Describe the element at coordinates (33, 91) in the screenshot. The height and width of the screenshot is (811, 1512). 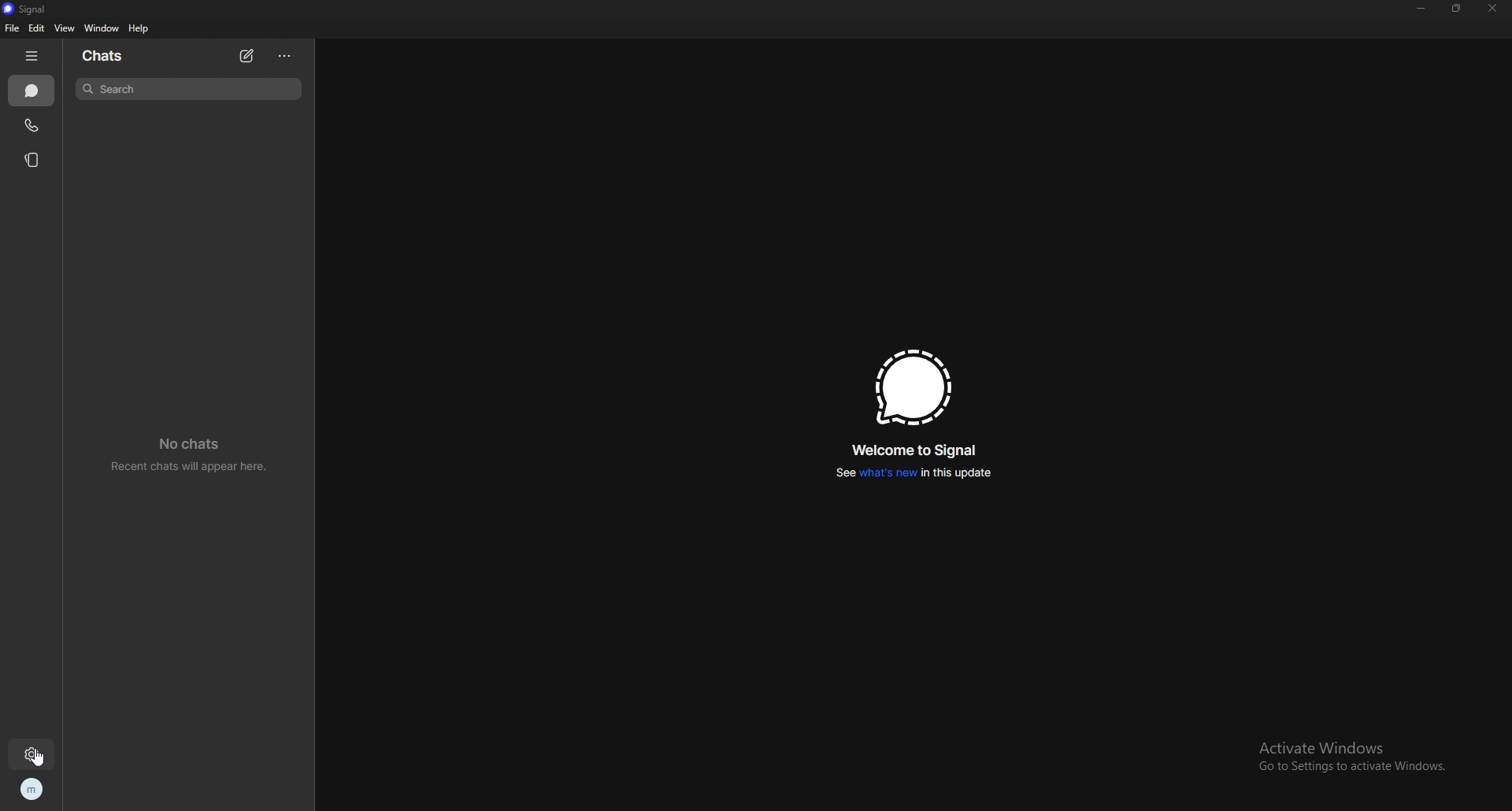
I see `chats` at that location.